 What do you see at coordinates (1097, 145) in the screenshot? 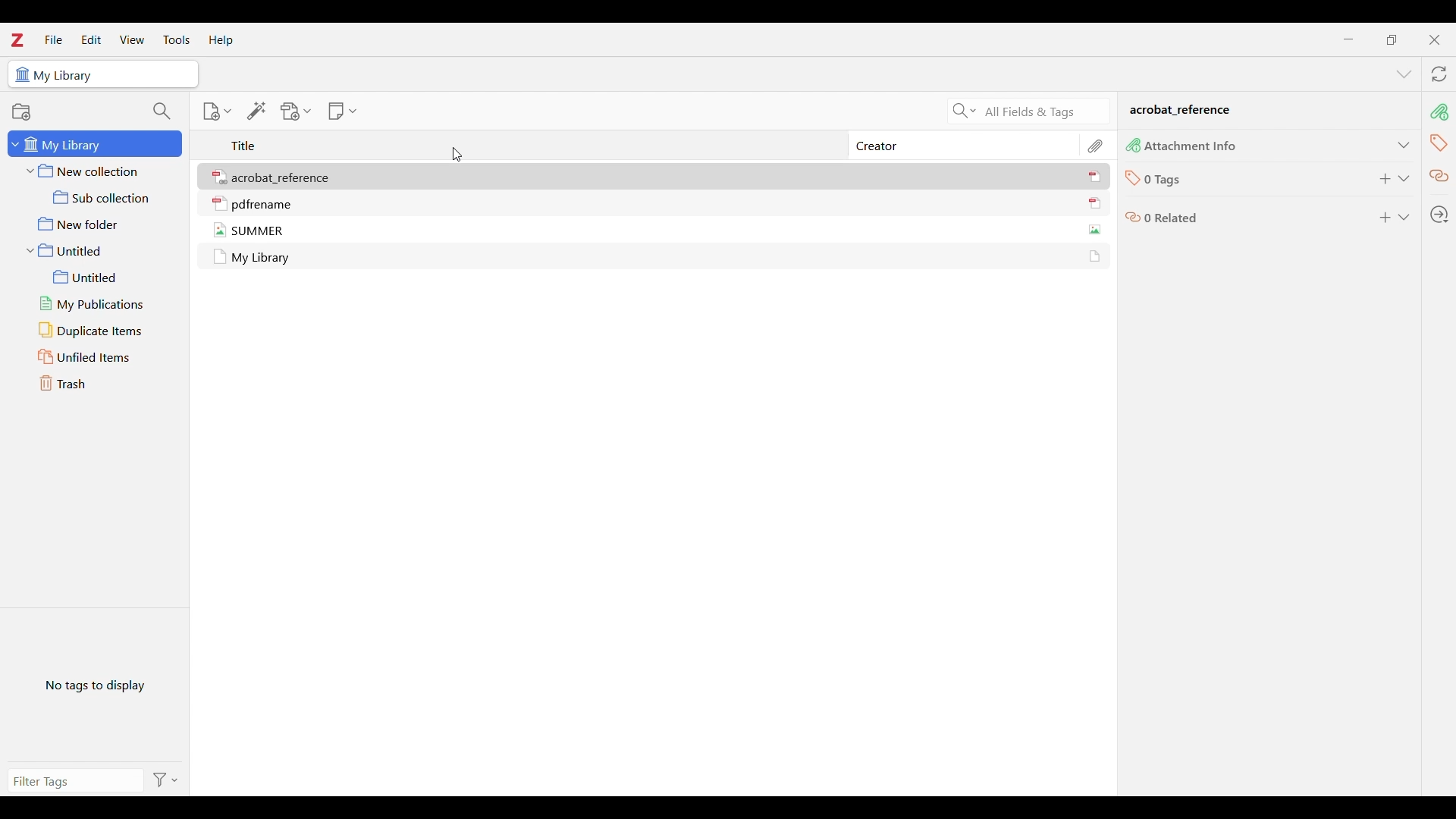
I see `Attachment column` at bounding box center [1097, 145].